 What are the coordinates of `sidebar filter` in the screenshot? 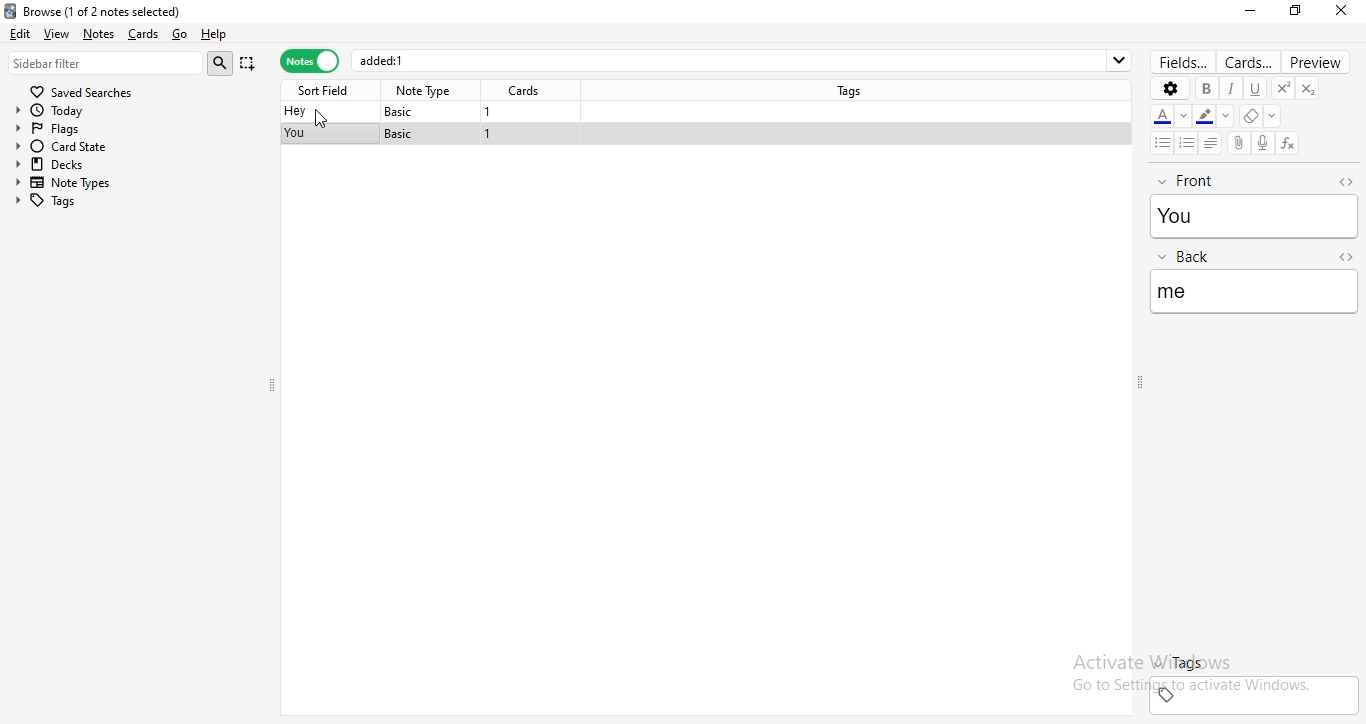 It's located at (106, 62).